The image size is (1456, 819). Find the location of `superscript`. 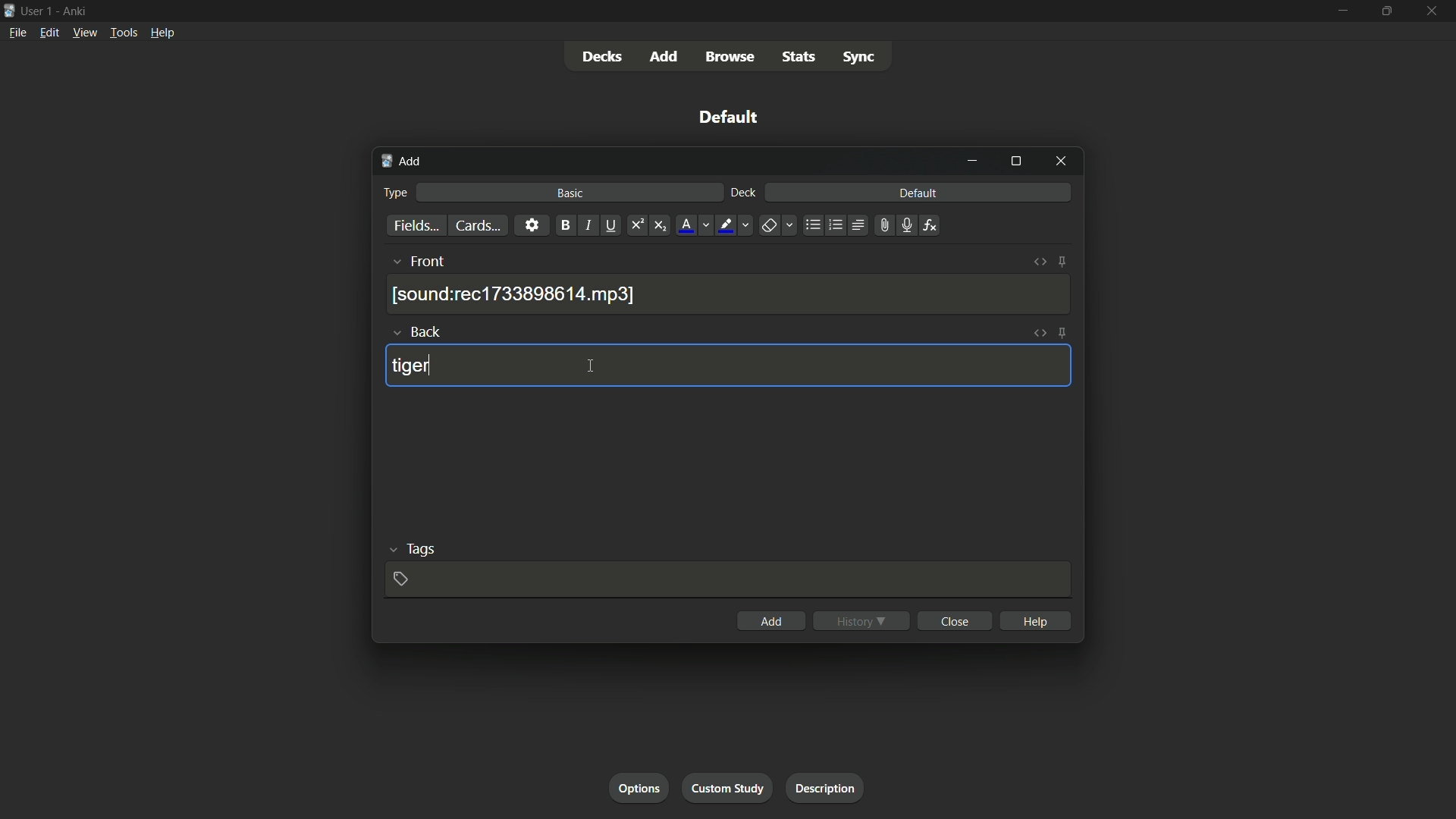

superscript is located at coordinates (636, 225).